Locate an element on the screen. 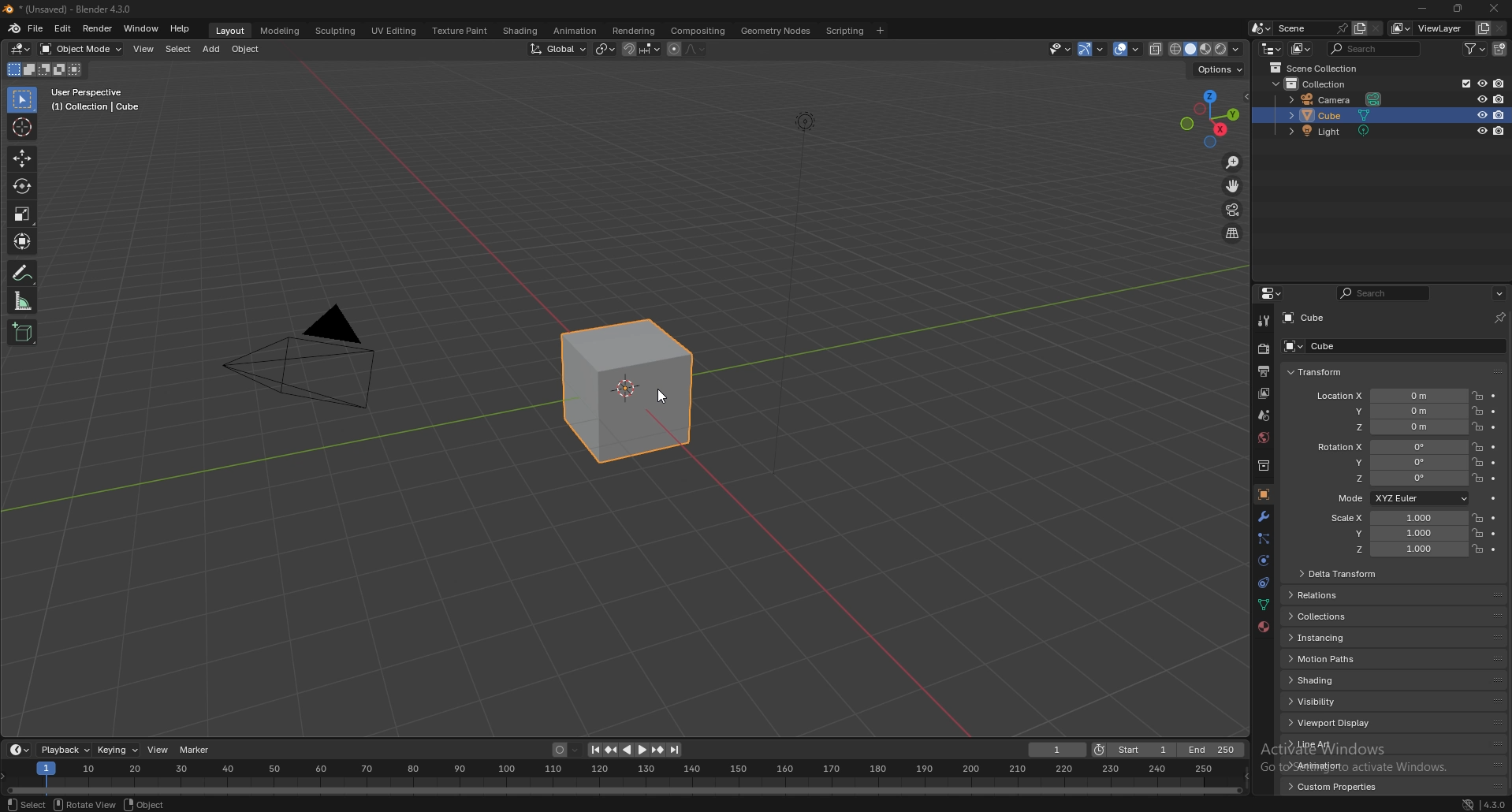 The width and height of the screenshot is (1512, 812). constraints is located at coordinates (1264, 583).